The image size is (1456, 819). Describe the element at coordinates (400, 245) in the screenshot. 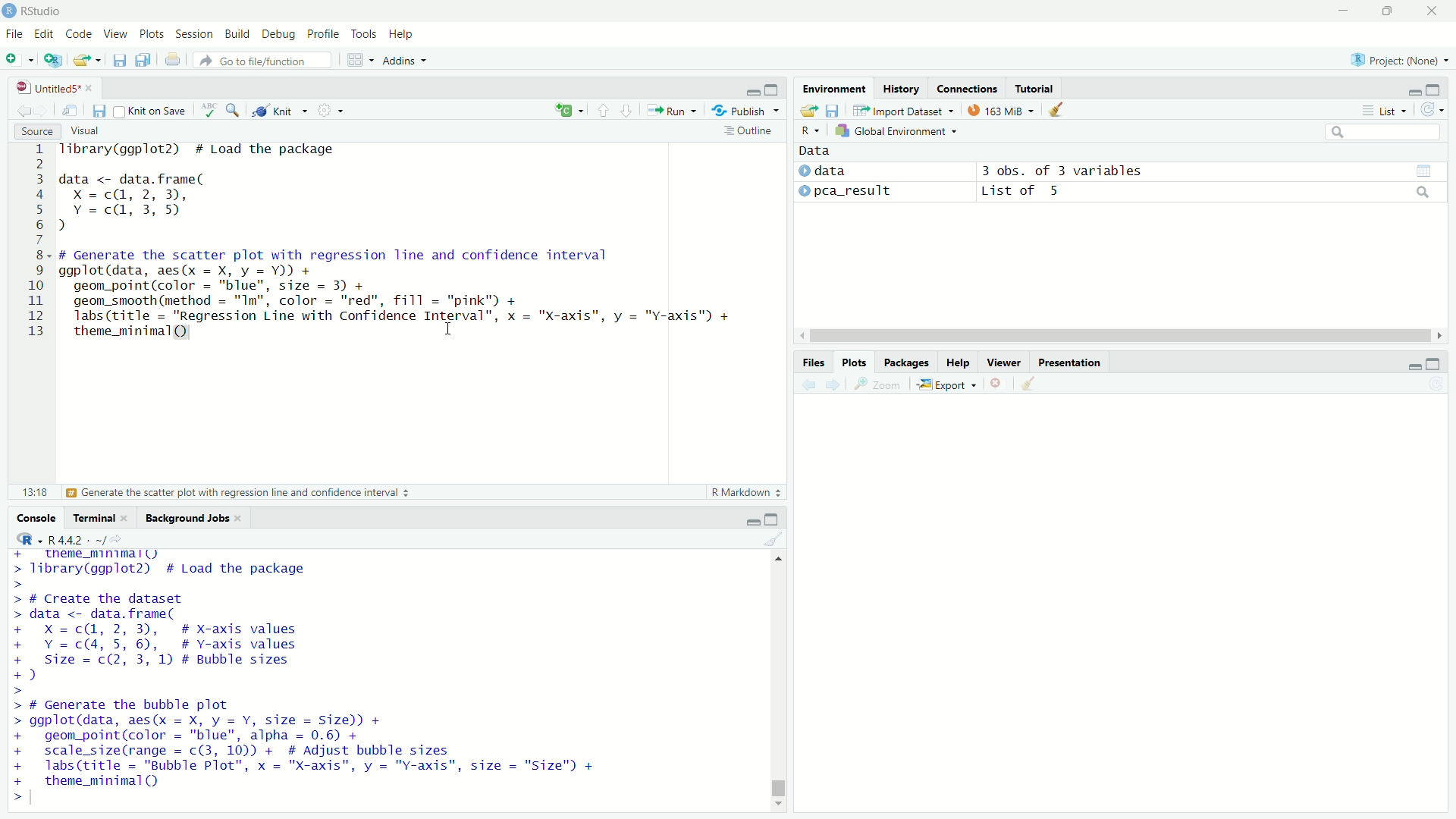

I see `Tibrary(ggplot2) # Load the package
data <- data.frame(
Xx =c(@, 2, 3),
Y =c@, 3,5)
d
# Generate the scatter plot with regression line and confidence interval
ggplot(data, aes(x = X, y = Y)) +
geom_point(color = "blue", size = 3) +
geom_smooth(method = "Im", color = "red", fill = "pink") +
labs(title = "Regression Line with Confidence Interval”, x = "X-axis", y = "Y-axis") +
theme_minimal(Q) I` at that location.